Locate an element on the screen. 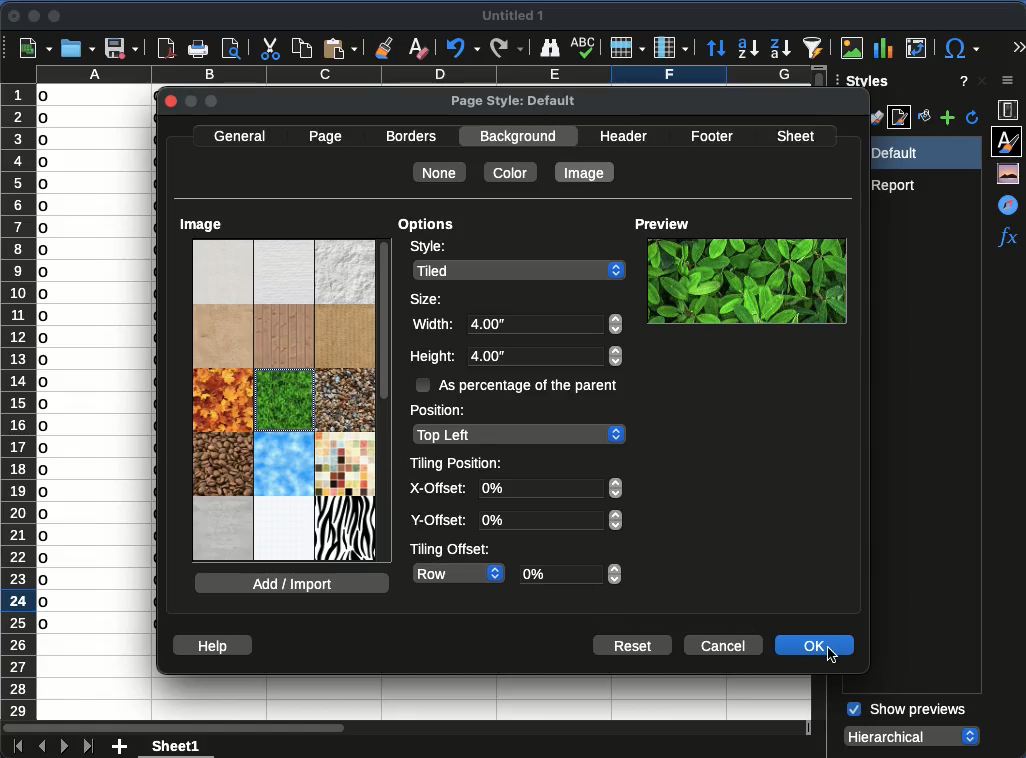 This screenshot has height=758, width=1026. 4.00 is located at coordinates (547, 339).